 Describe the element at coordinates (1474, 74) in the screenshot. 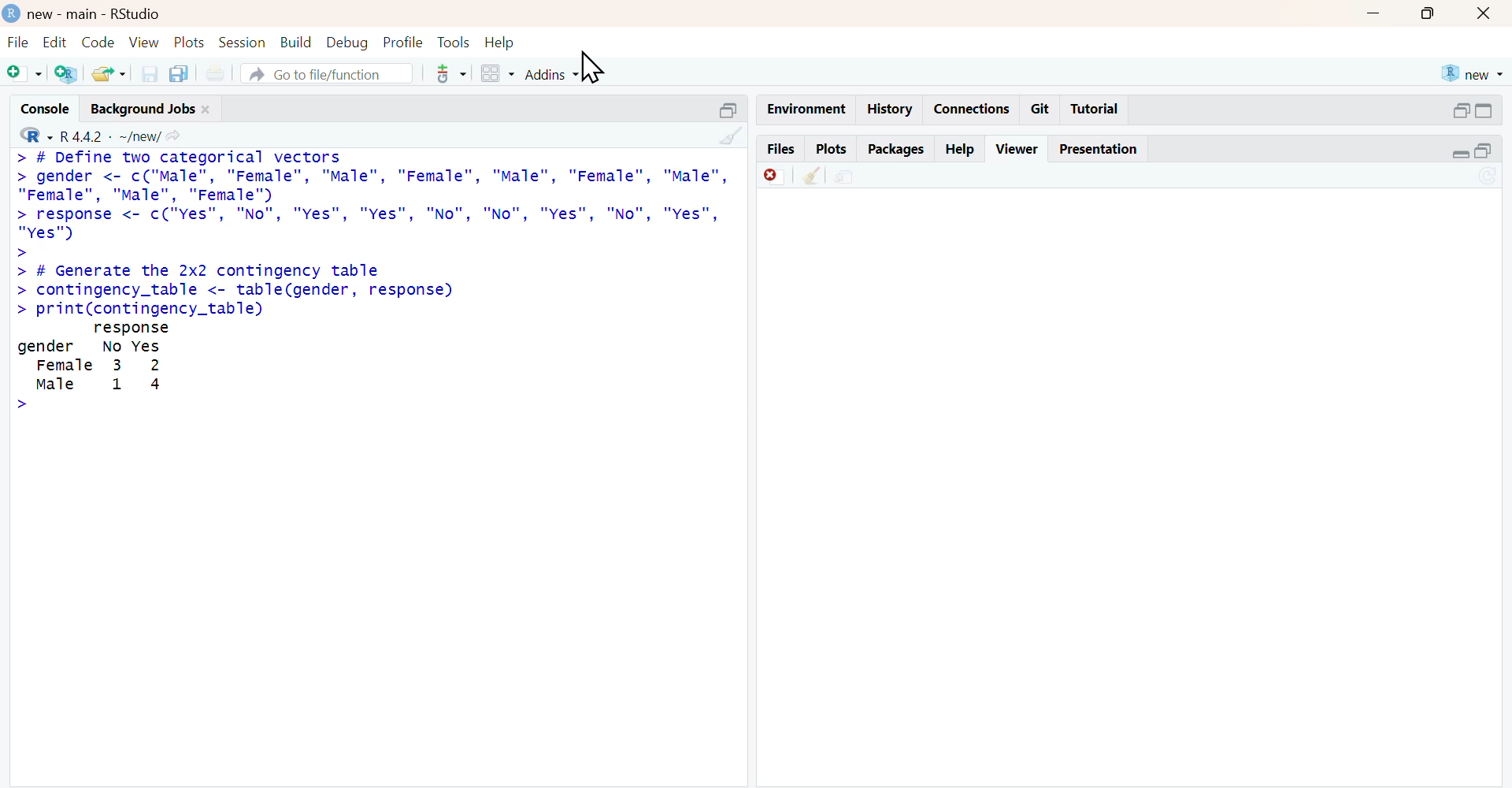

I see `new` at that location.